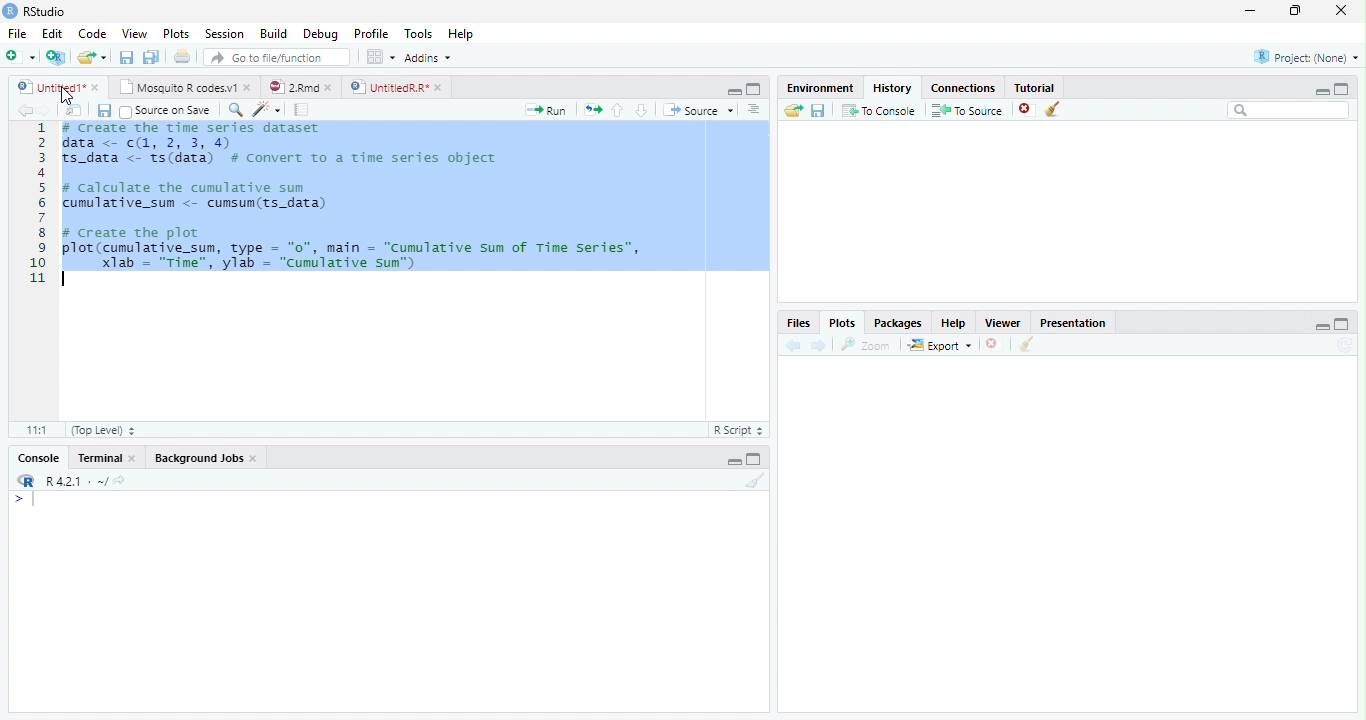 The width and height of the screenshot is (1366, 720). I want to click on Back, so click(791, 346).